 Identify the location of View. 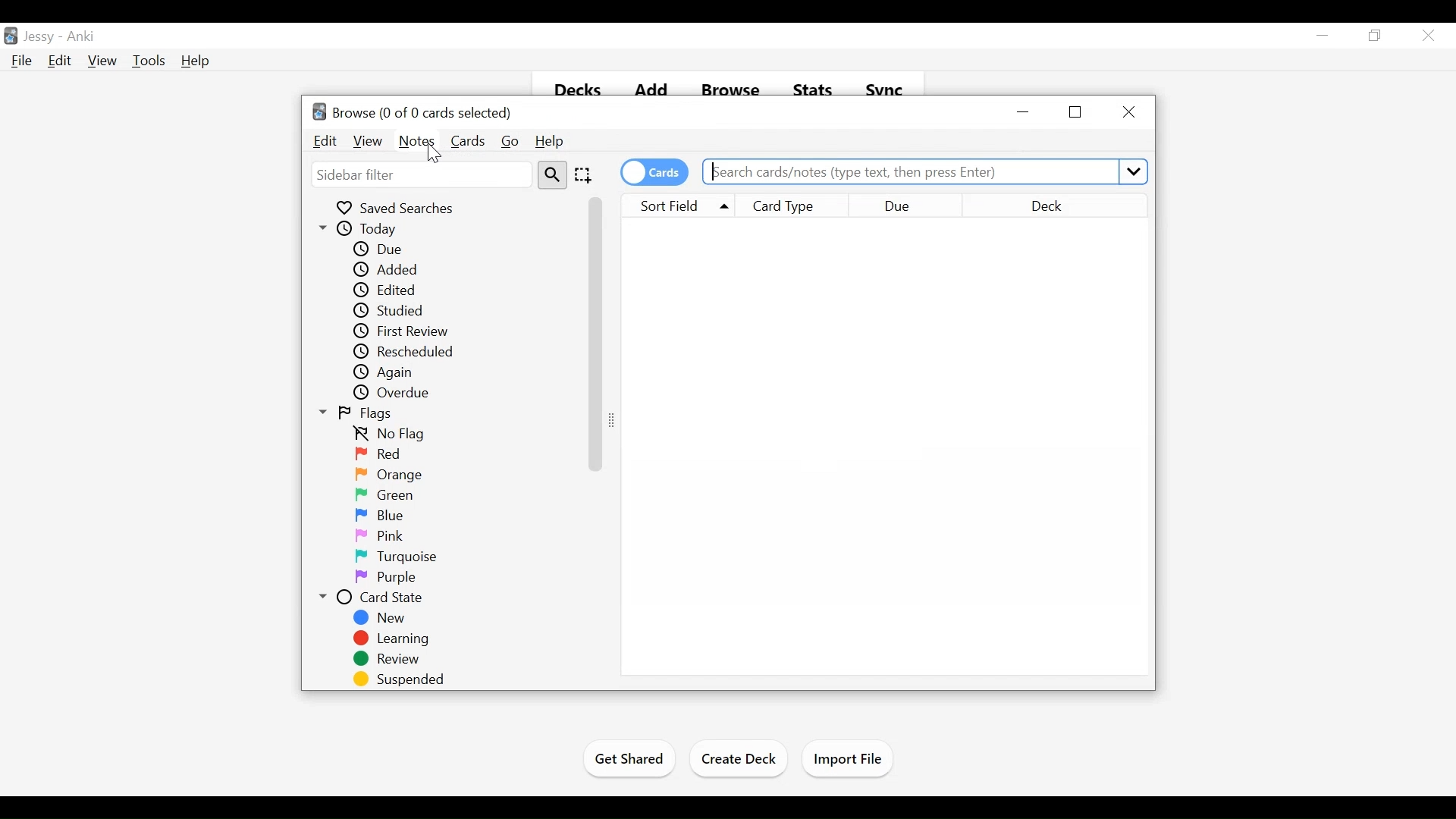
(102, 61).